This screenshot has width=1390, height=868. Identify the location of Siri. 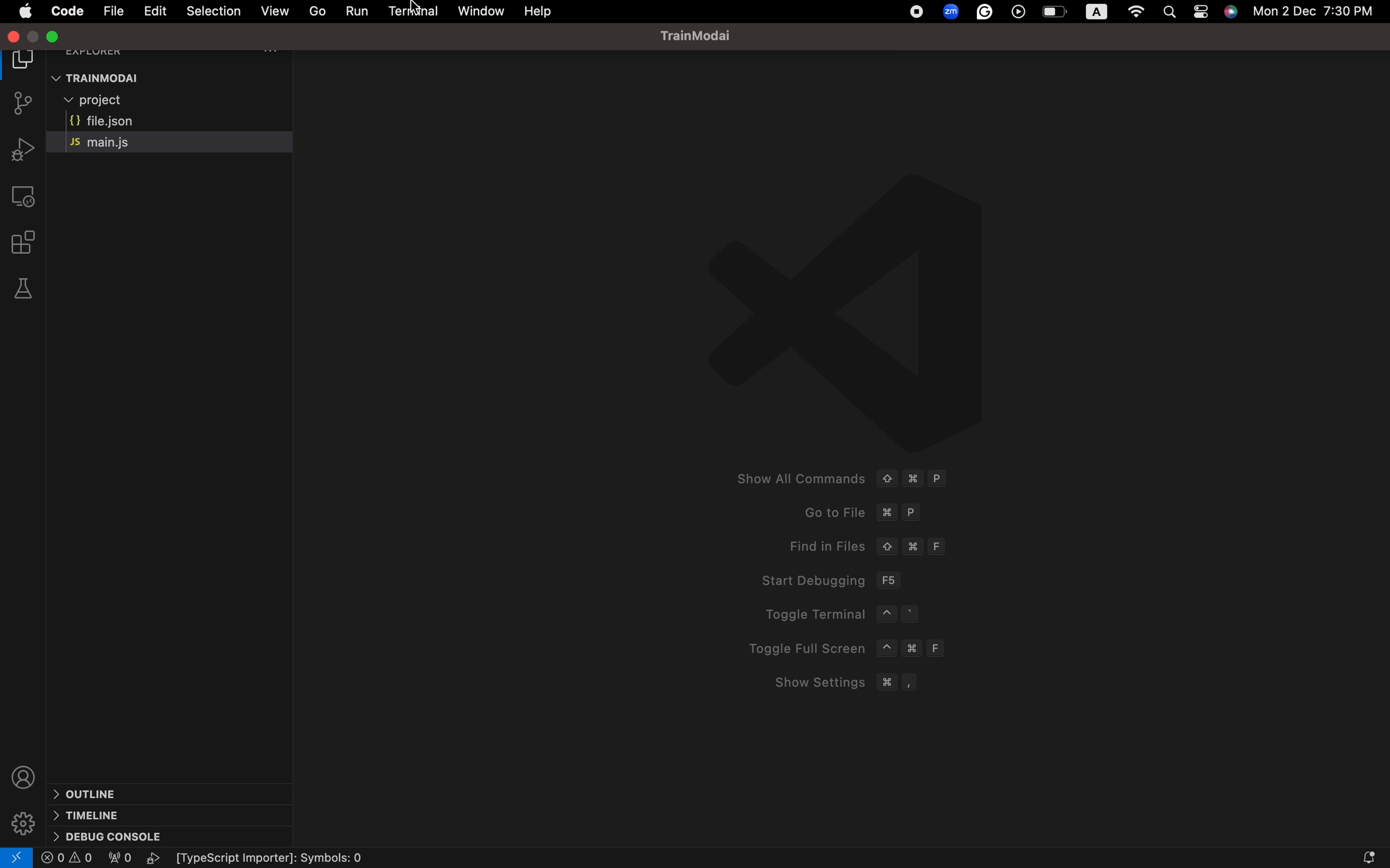
(1232, 14).